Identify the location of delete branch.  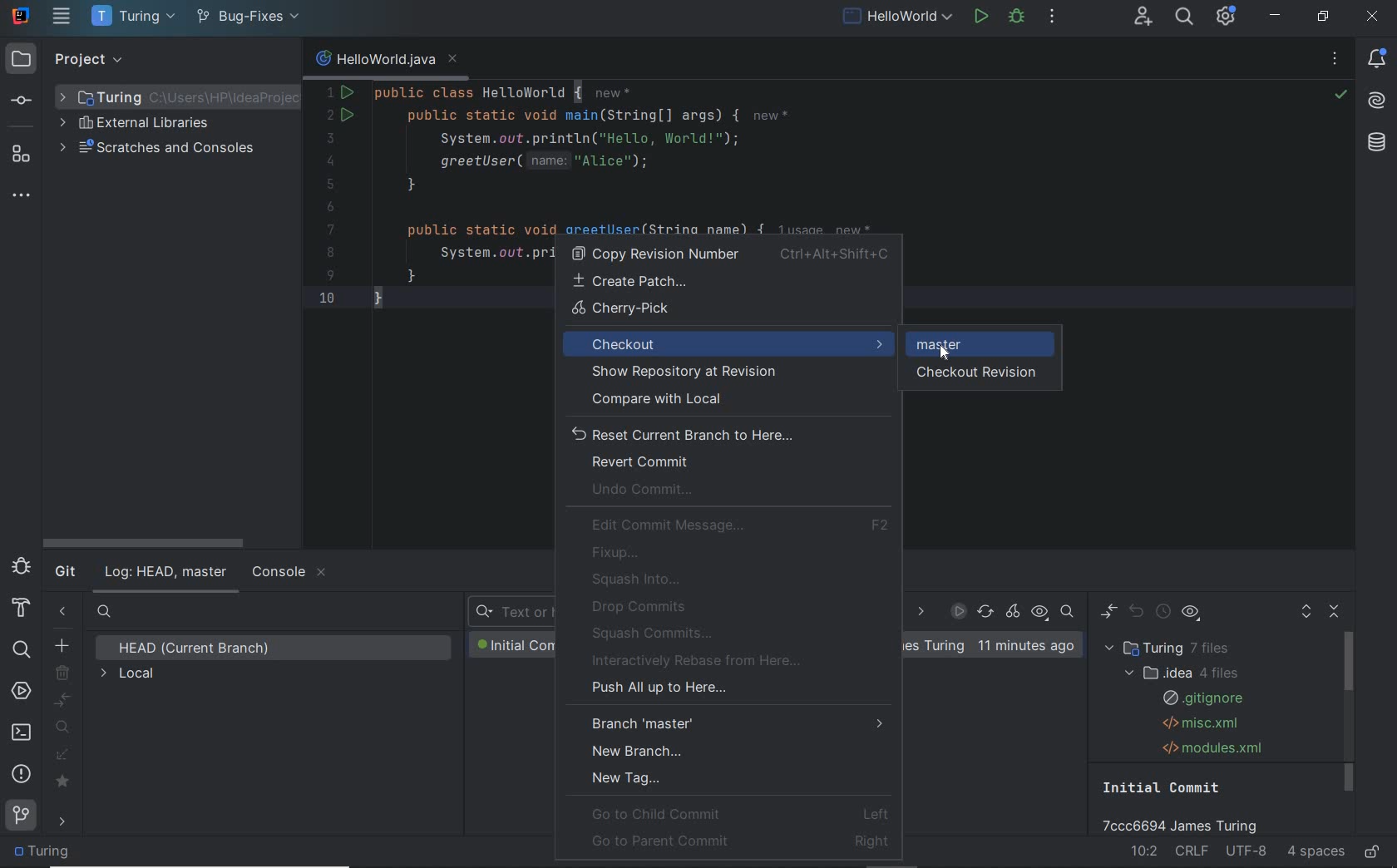
(64, 673).